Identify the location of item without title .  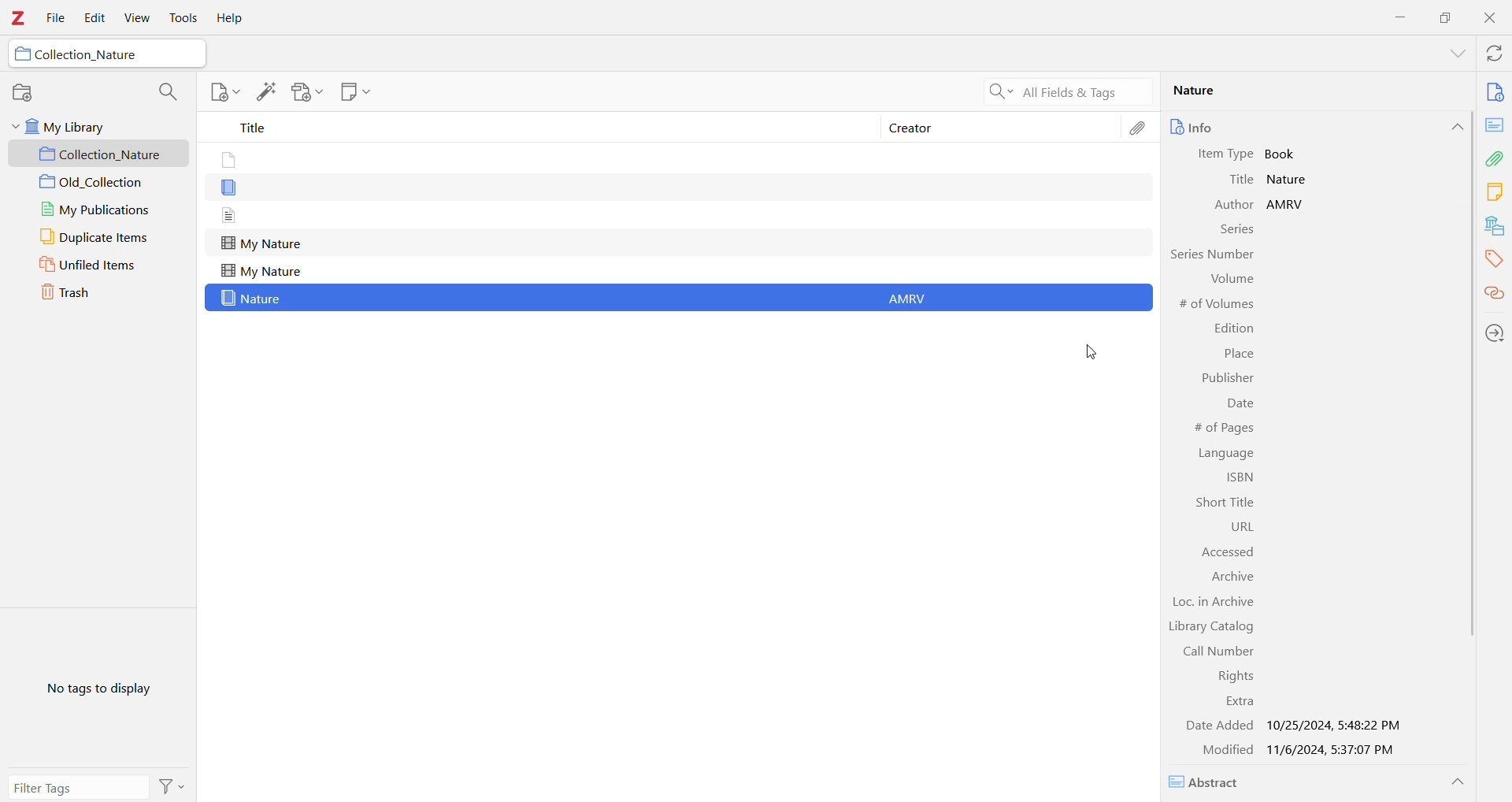
(230, 189).